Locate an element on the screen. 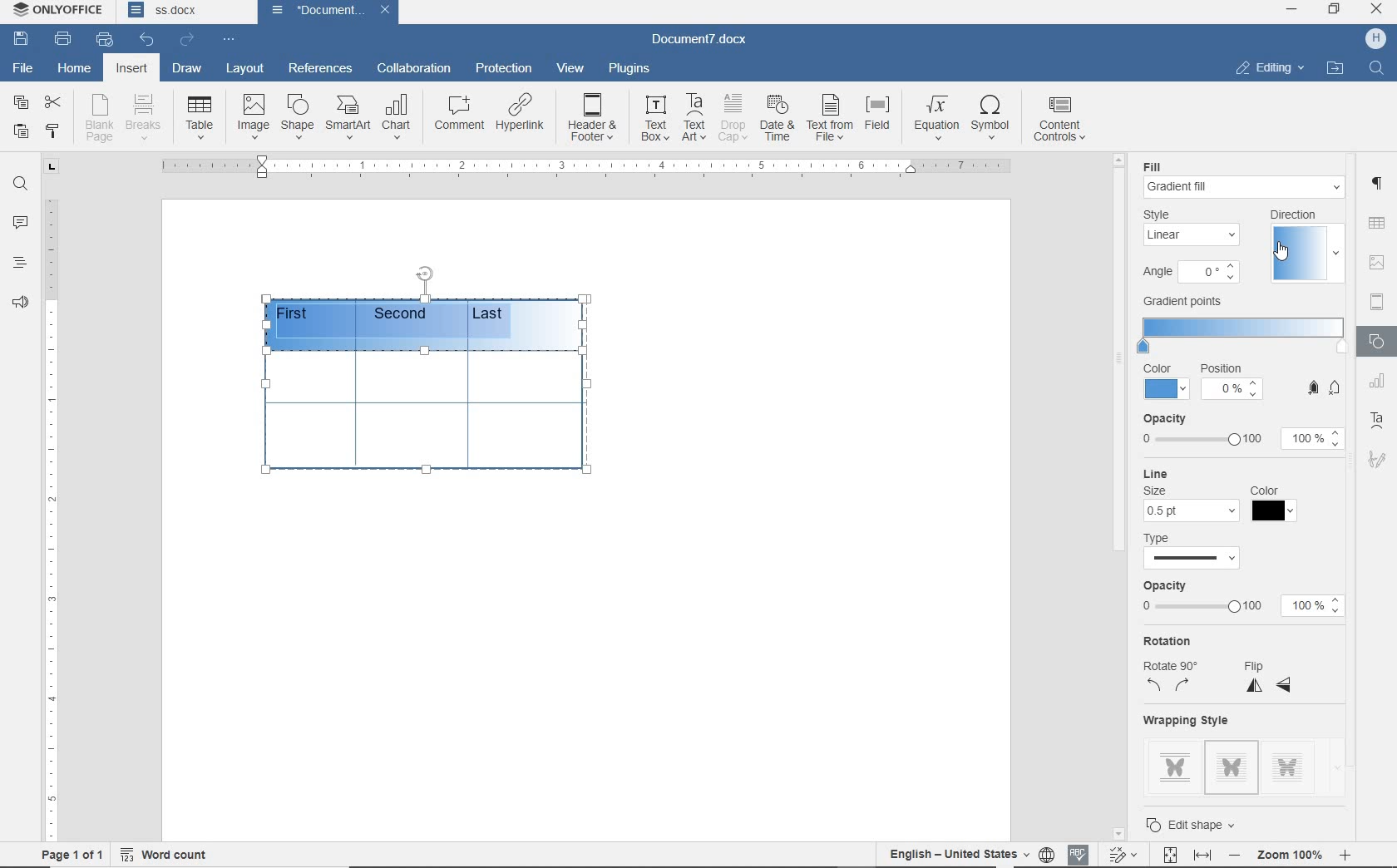 Image resolution: width=1397 pixels, height=868 pixels. style 3 is located at coordinates (1294, 767).